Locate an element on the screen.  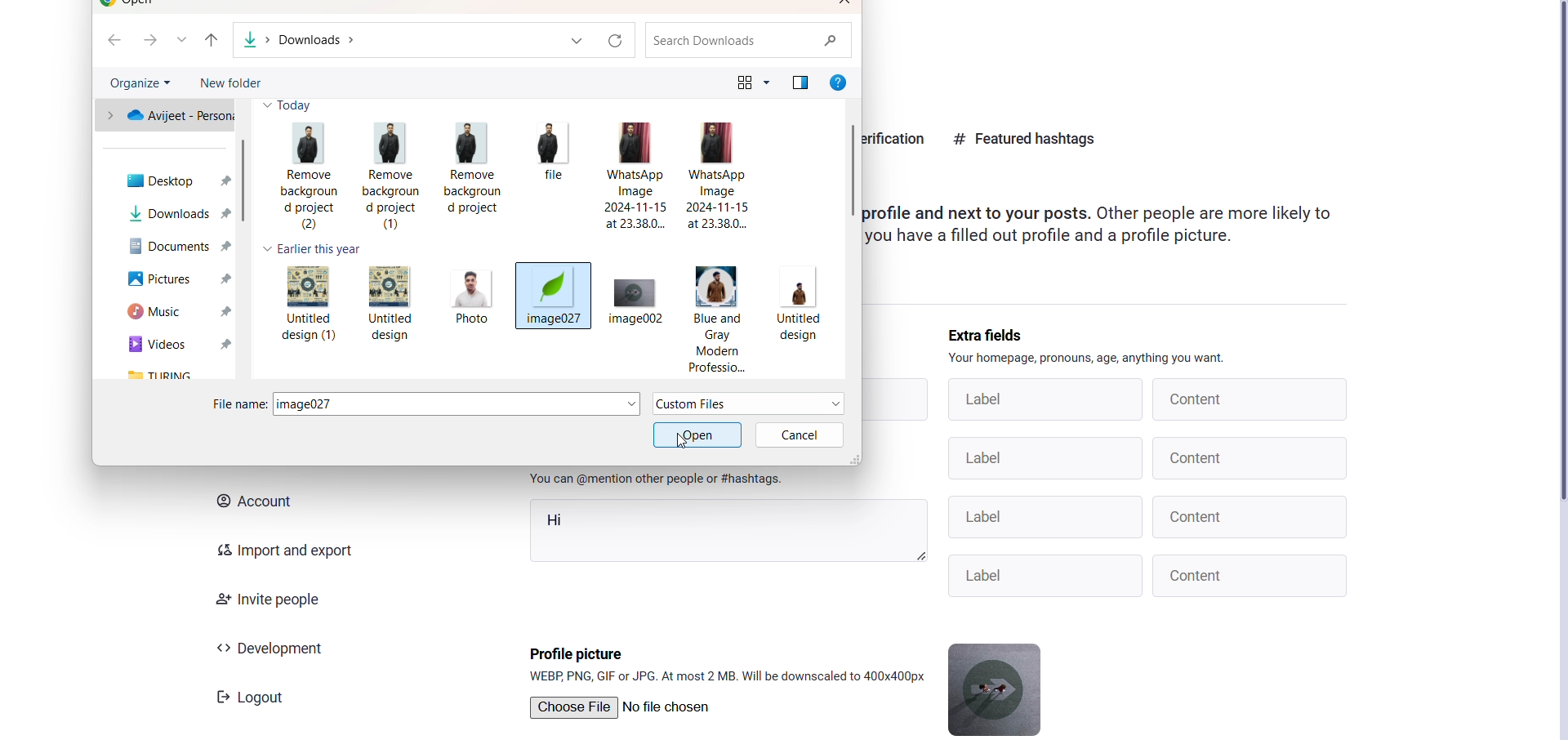
list is located at coordinates (185, 41).